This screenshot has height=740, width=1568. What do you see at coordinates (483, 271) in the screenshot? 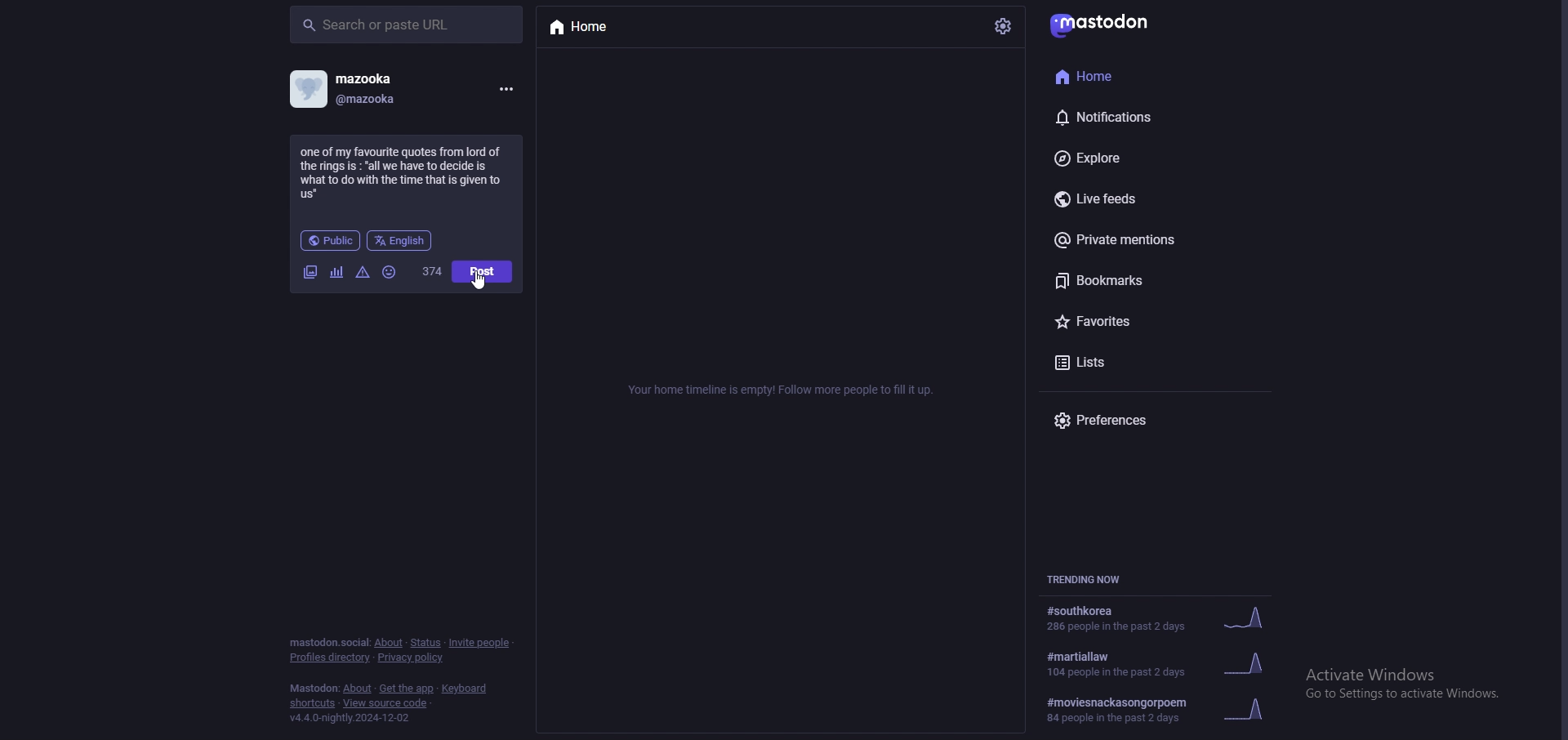
I see `post` at bounding box center [483, 271].